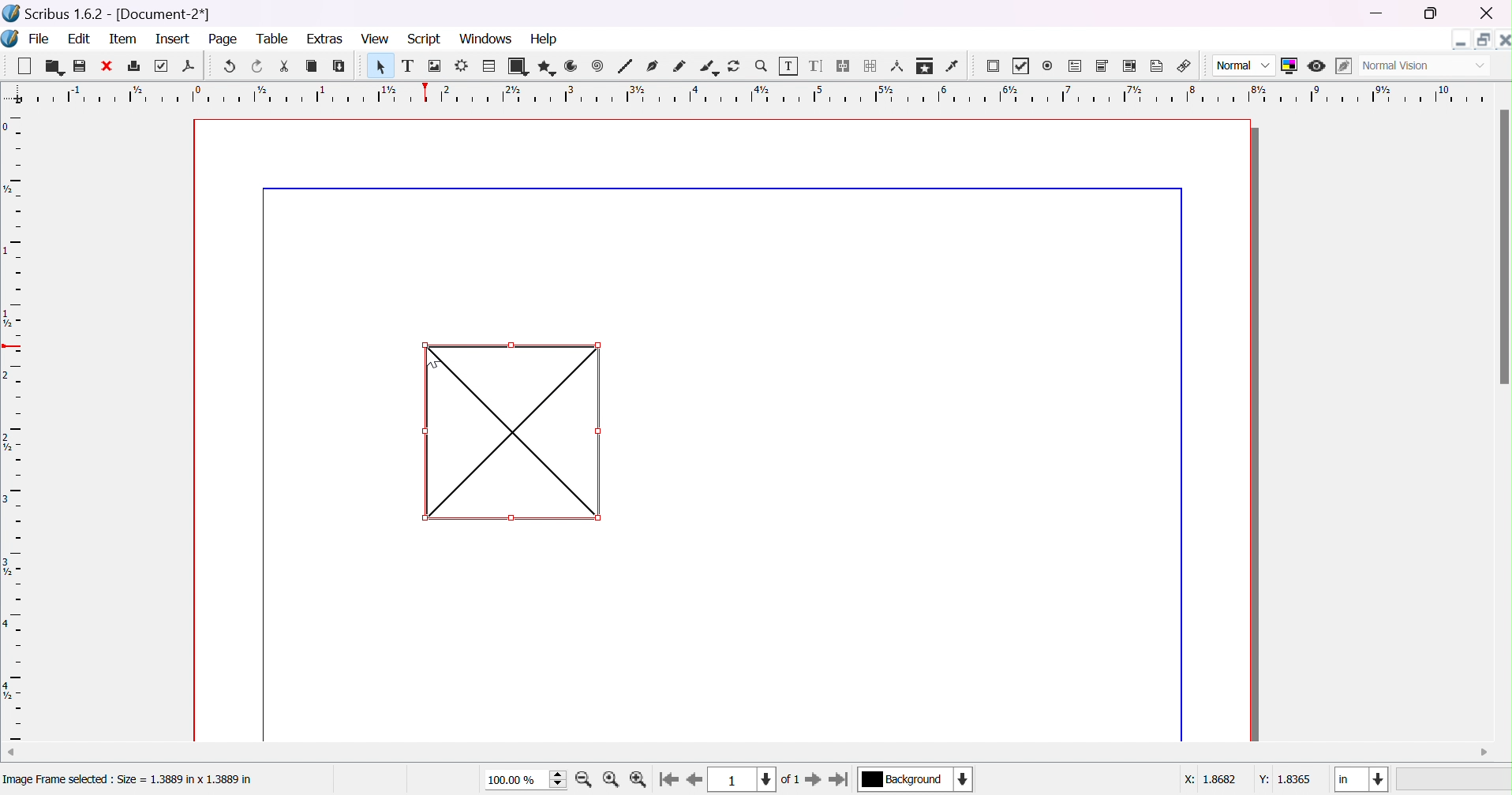  Describe the element at coordinates (1158, 64) in the screenshot. I see `text annotation` at that location.